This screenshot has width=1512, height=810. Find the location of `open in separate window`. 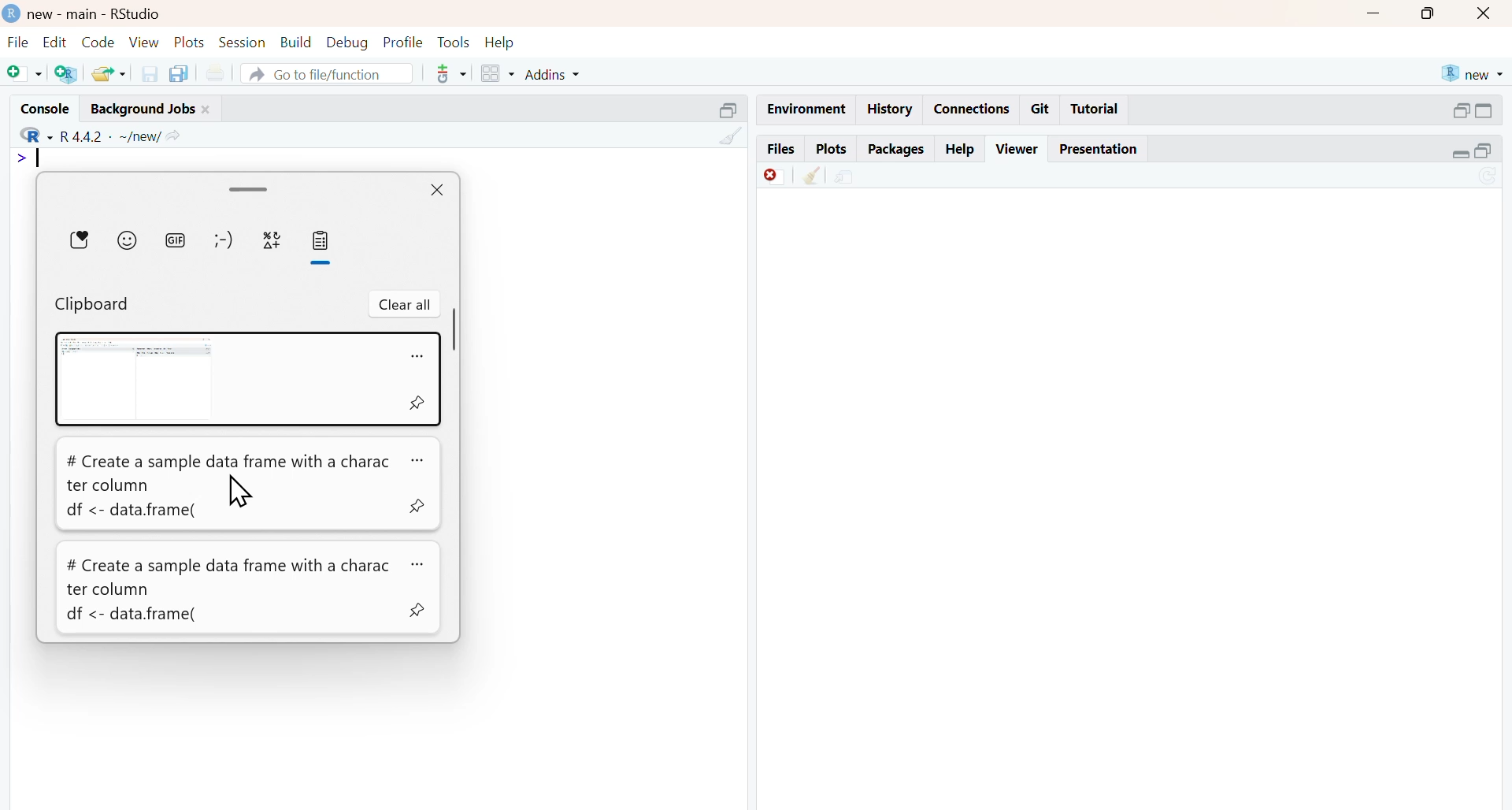

open in separate window is located at coordinates (1460, 110).